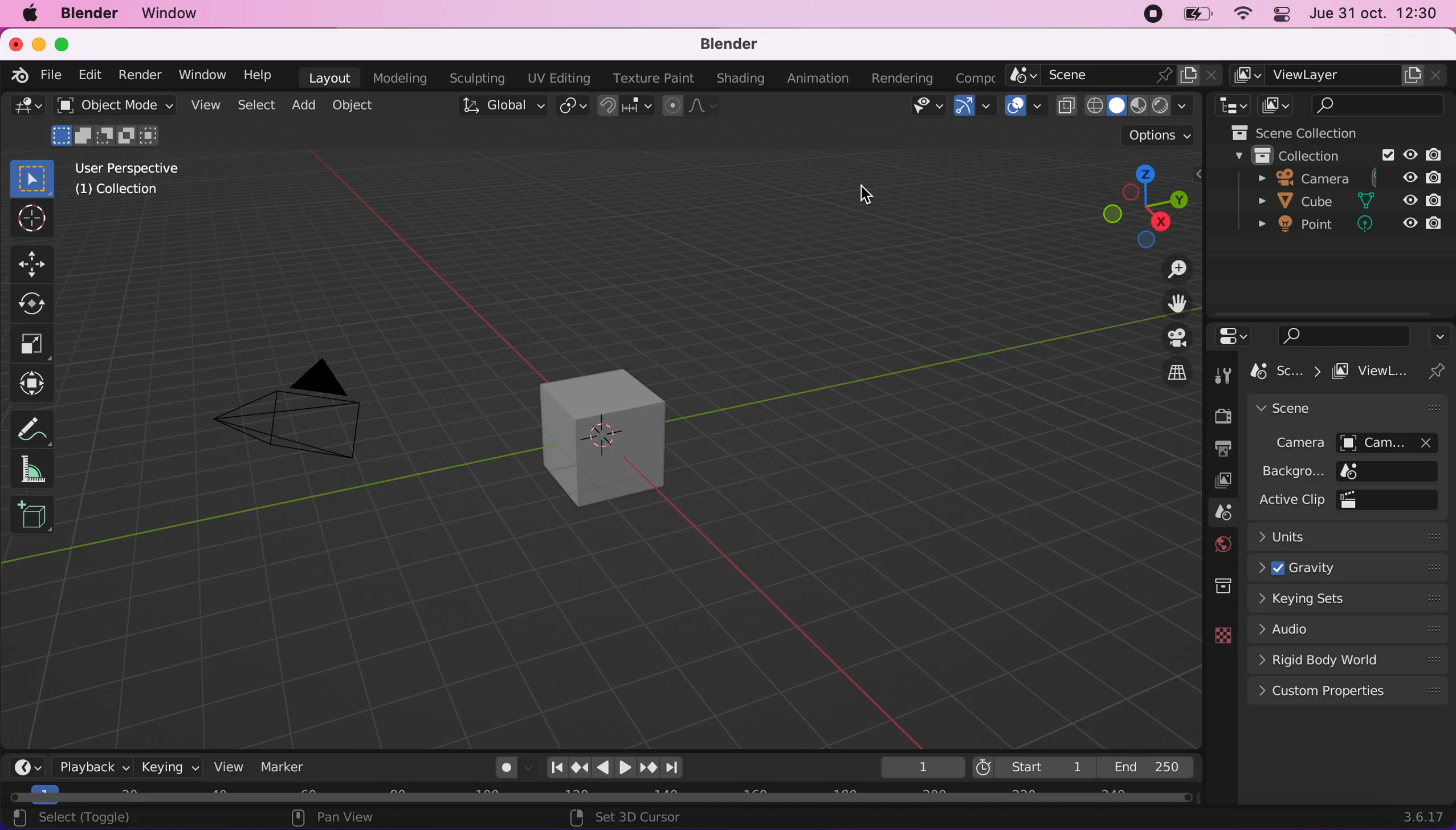 Image resolution: width=1456 pixels, height=830 pixels. What do you see at coordinates (1287, 154) in the screenshot?
I see `collection` at bounding box center [1287, 154].